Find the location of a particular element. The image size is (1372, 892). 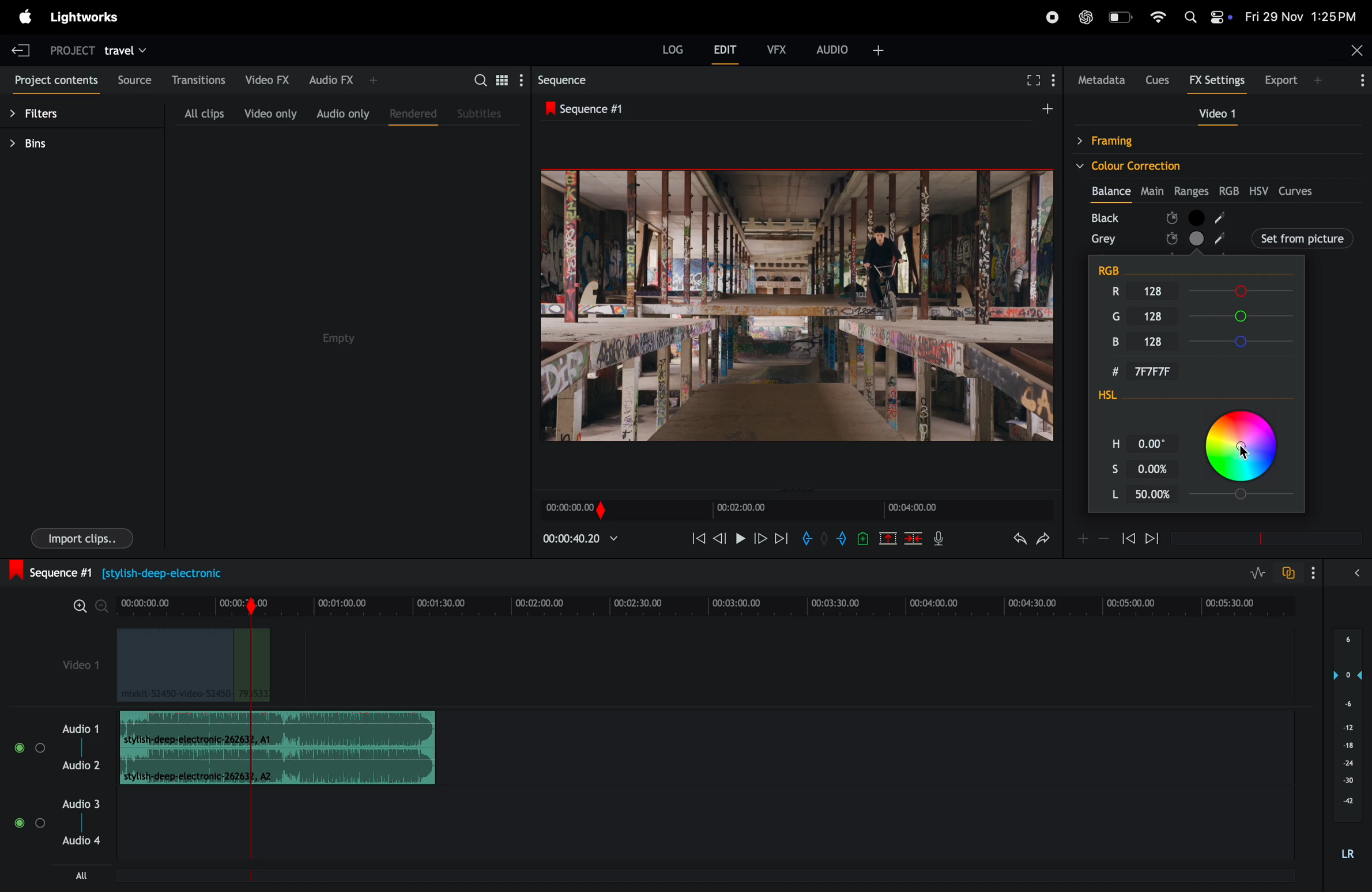

cursor is located at coordinates (1250, 453).